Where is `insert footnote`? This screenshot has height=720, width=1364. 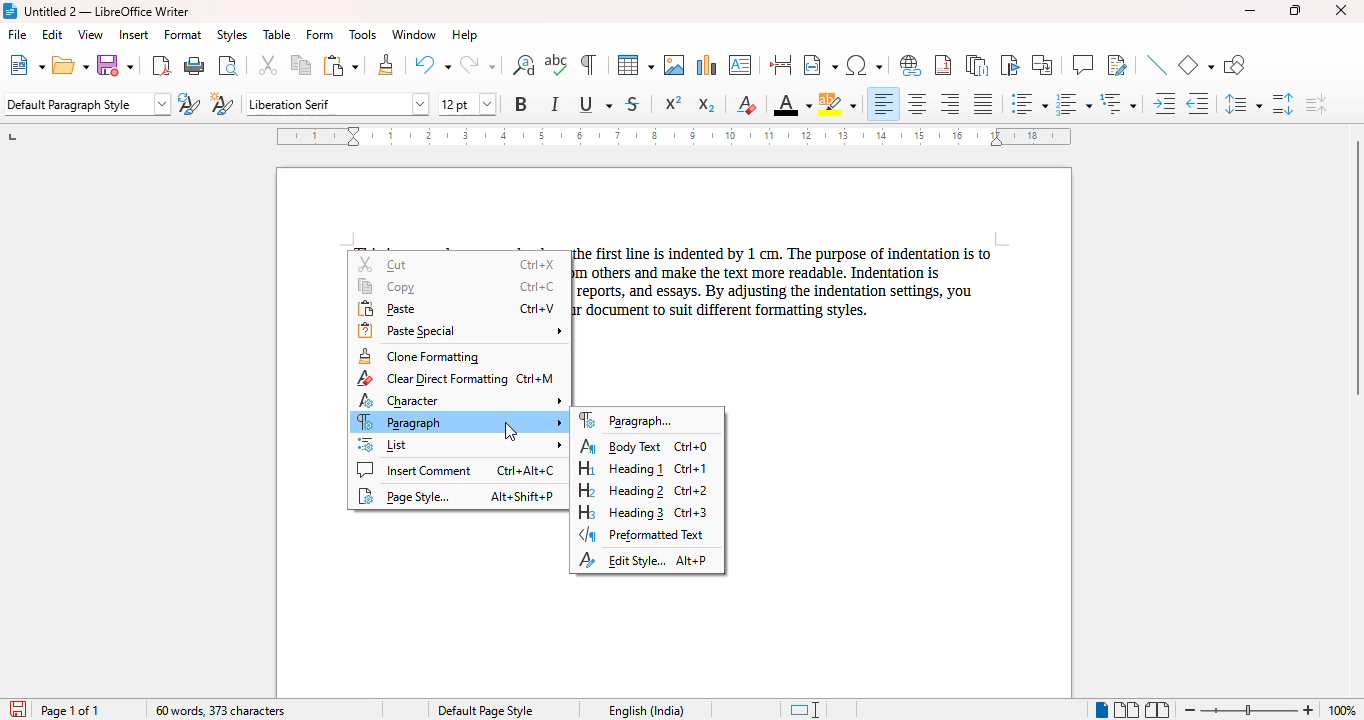 insert footnote is located at coordinates (944, 64).